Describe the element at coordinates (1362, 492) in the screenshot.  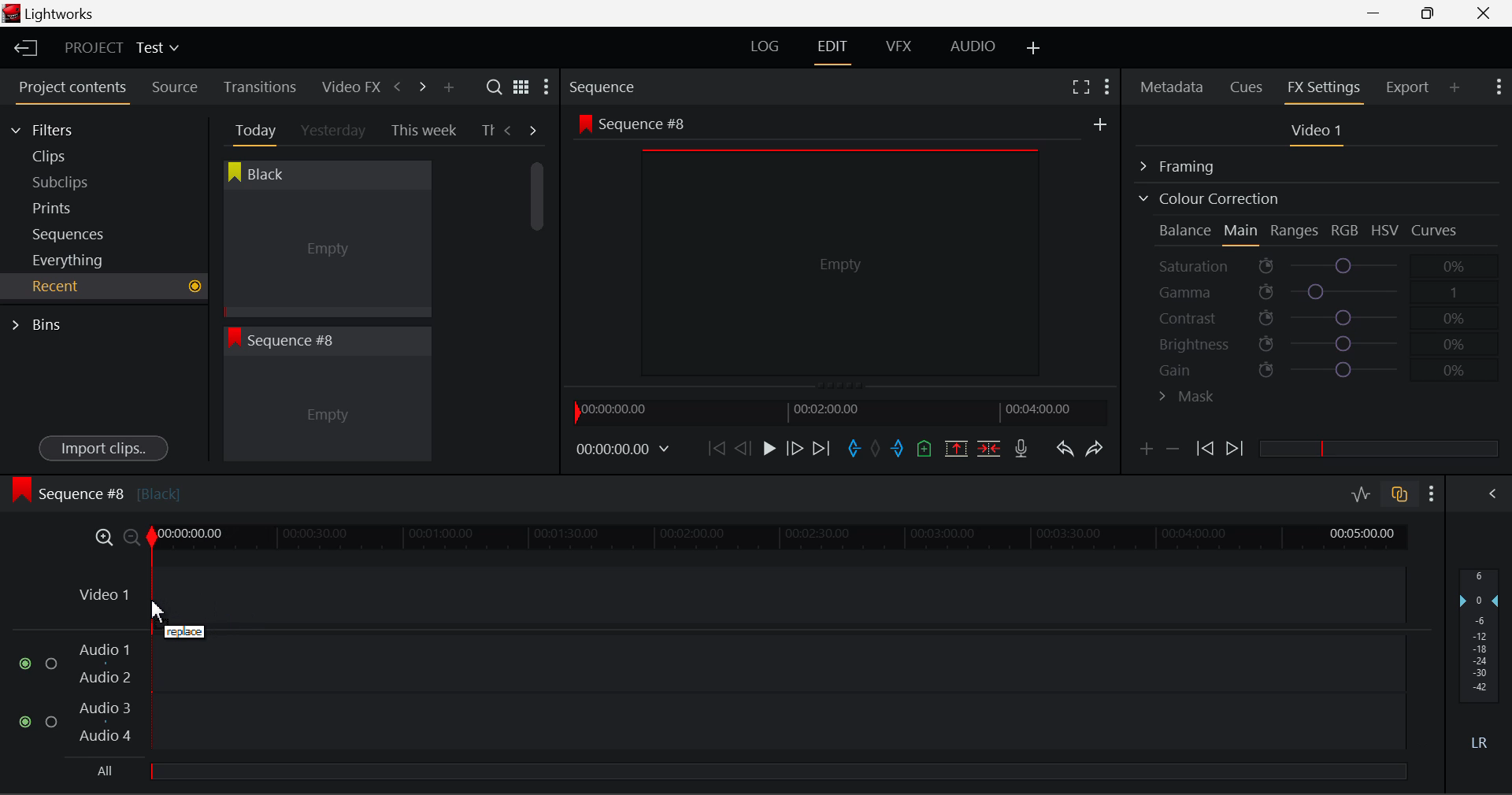
I see `Toggle audio editing levels` at that location.